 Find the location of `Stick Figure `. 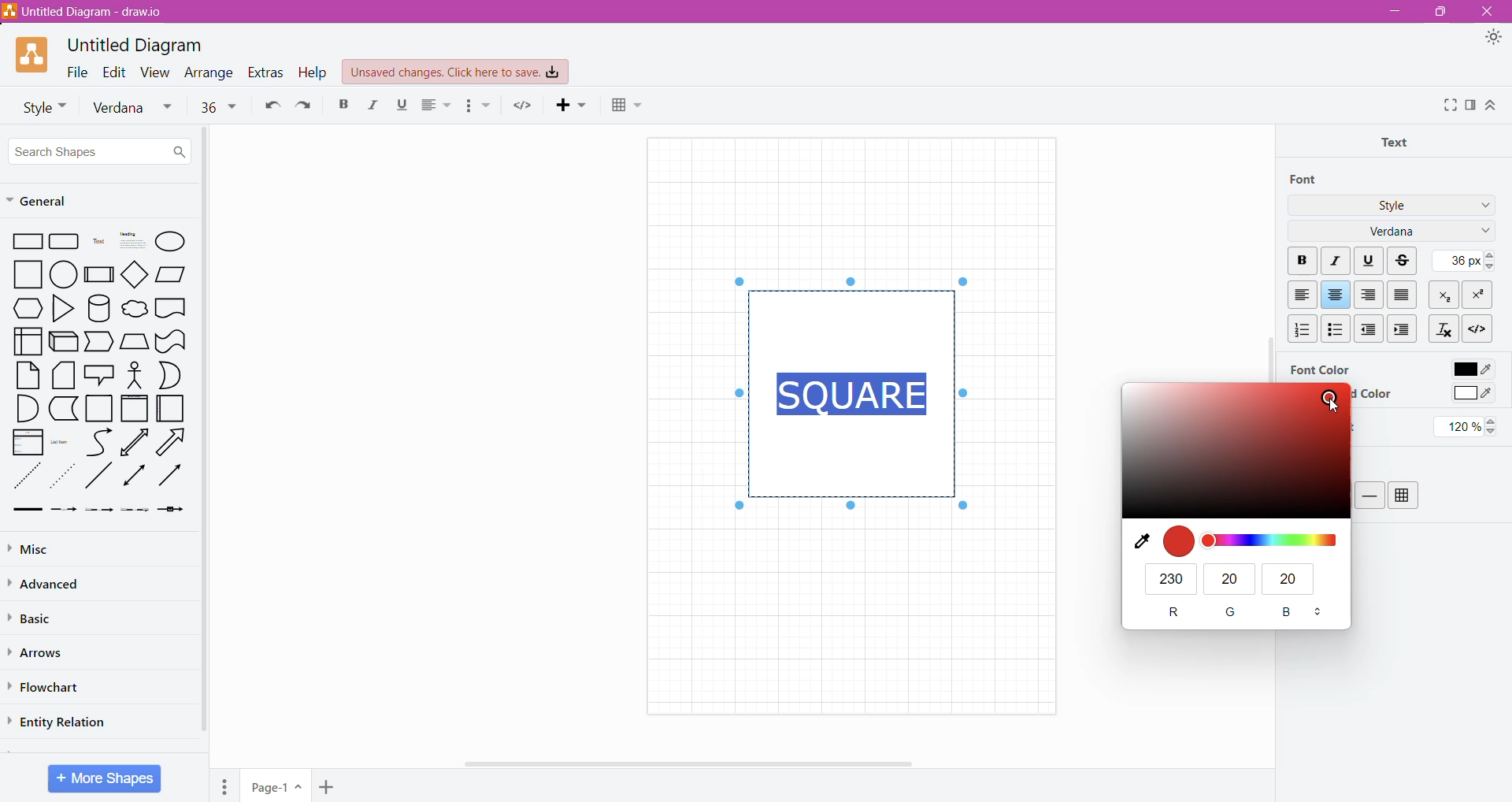

Stick Figure  is located at coordinates (135, 373).